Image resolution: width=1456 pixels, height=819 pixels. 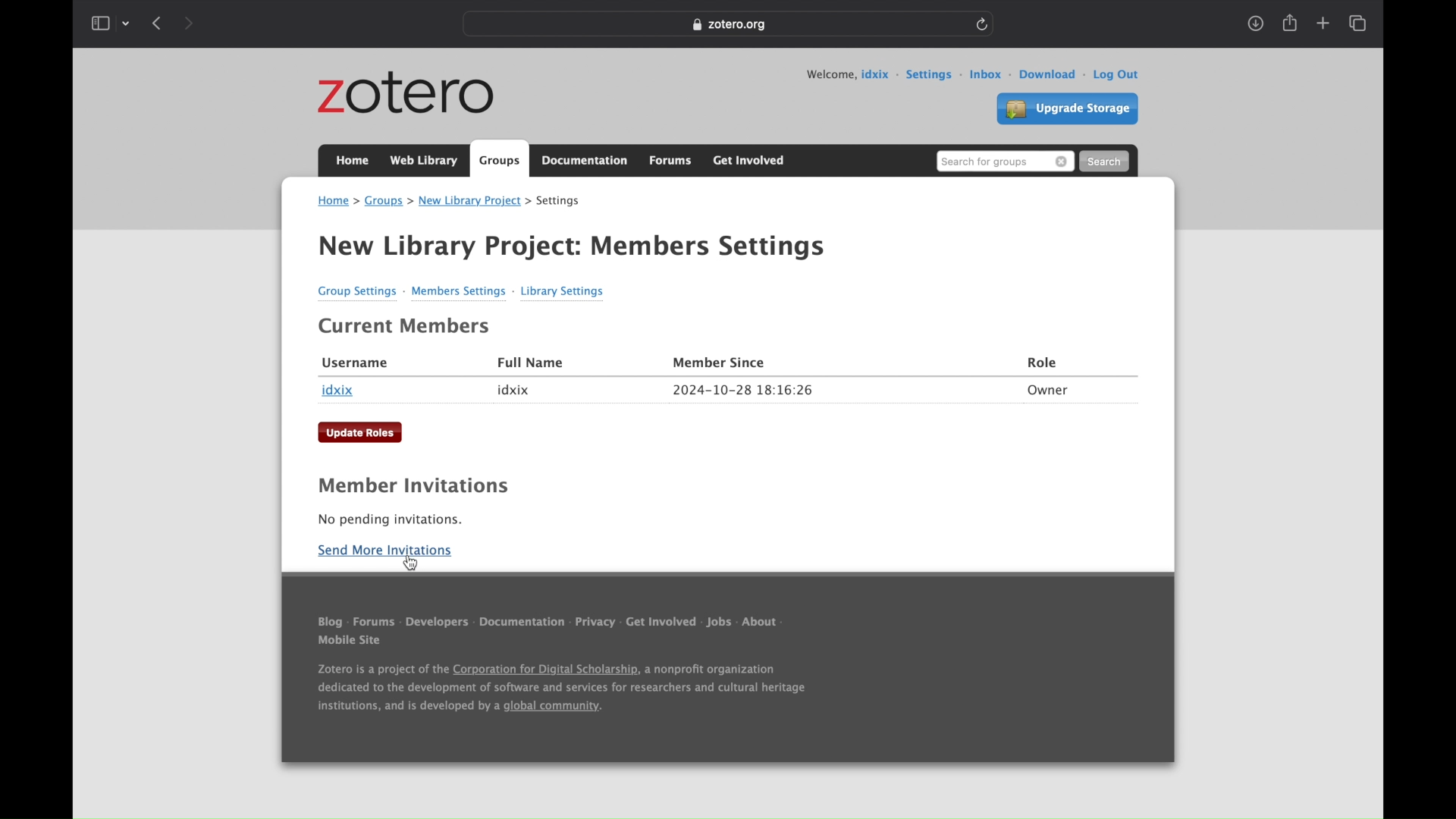 I want to click on owner, so click(x=1047, y=391).